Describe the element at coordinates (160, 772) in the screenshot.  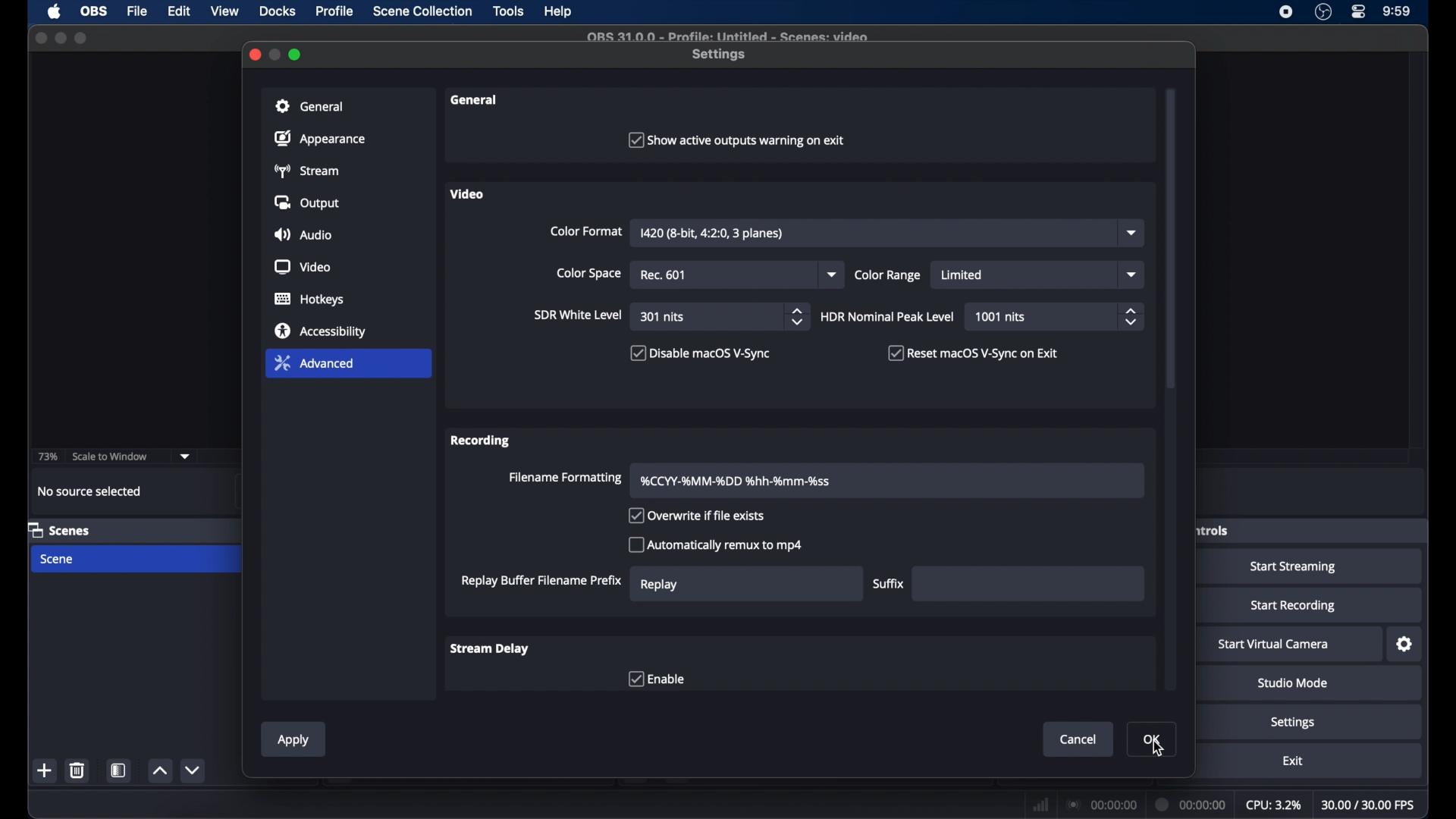
I see `increment` at that location.